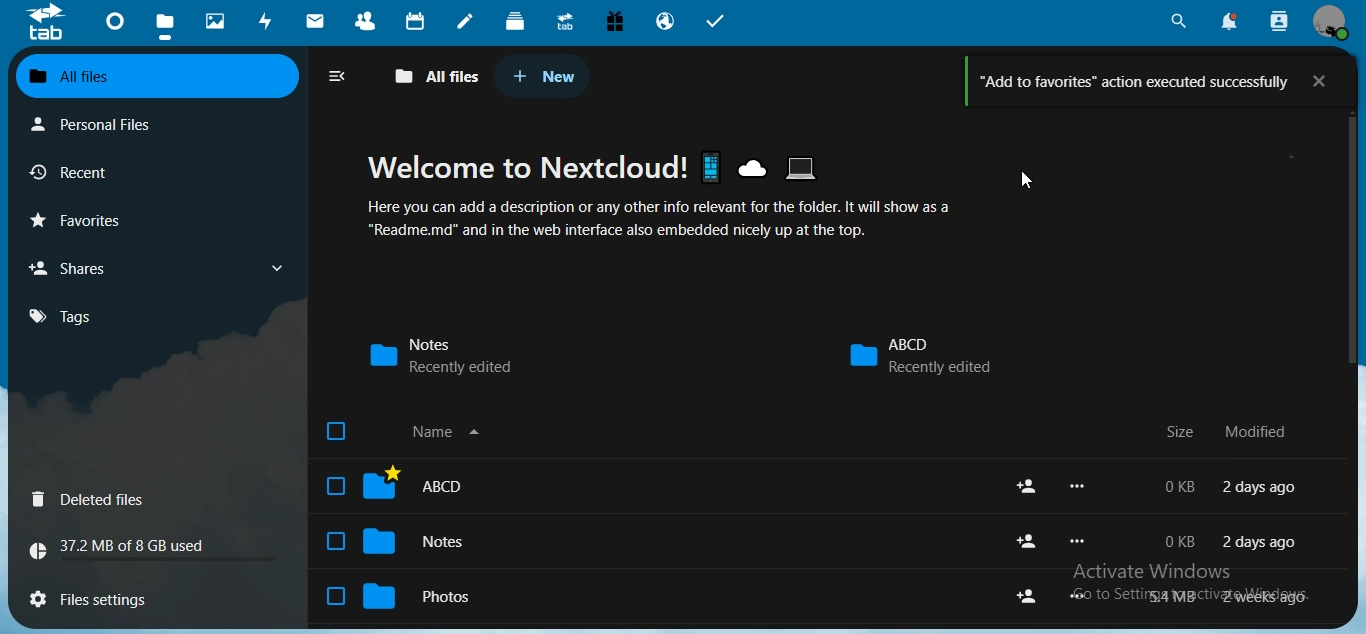 Image resolution: width=1366 pixels, height=634 pixels. Describe the element at coordinates (94, 499) in the screenshot. I see `deleted files` at that location.